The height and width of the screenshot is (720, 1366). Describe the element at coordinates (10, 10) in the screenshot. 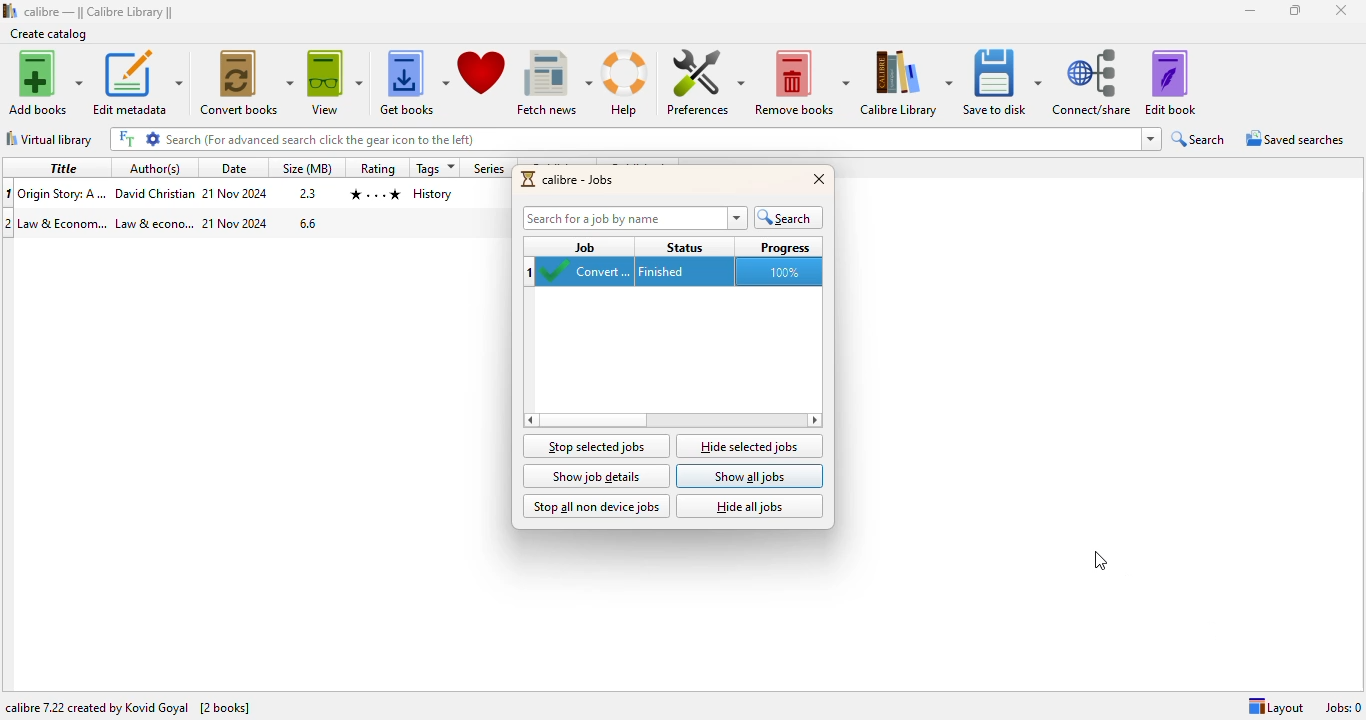

I see `logo` at that location.